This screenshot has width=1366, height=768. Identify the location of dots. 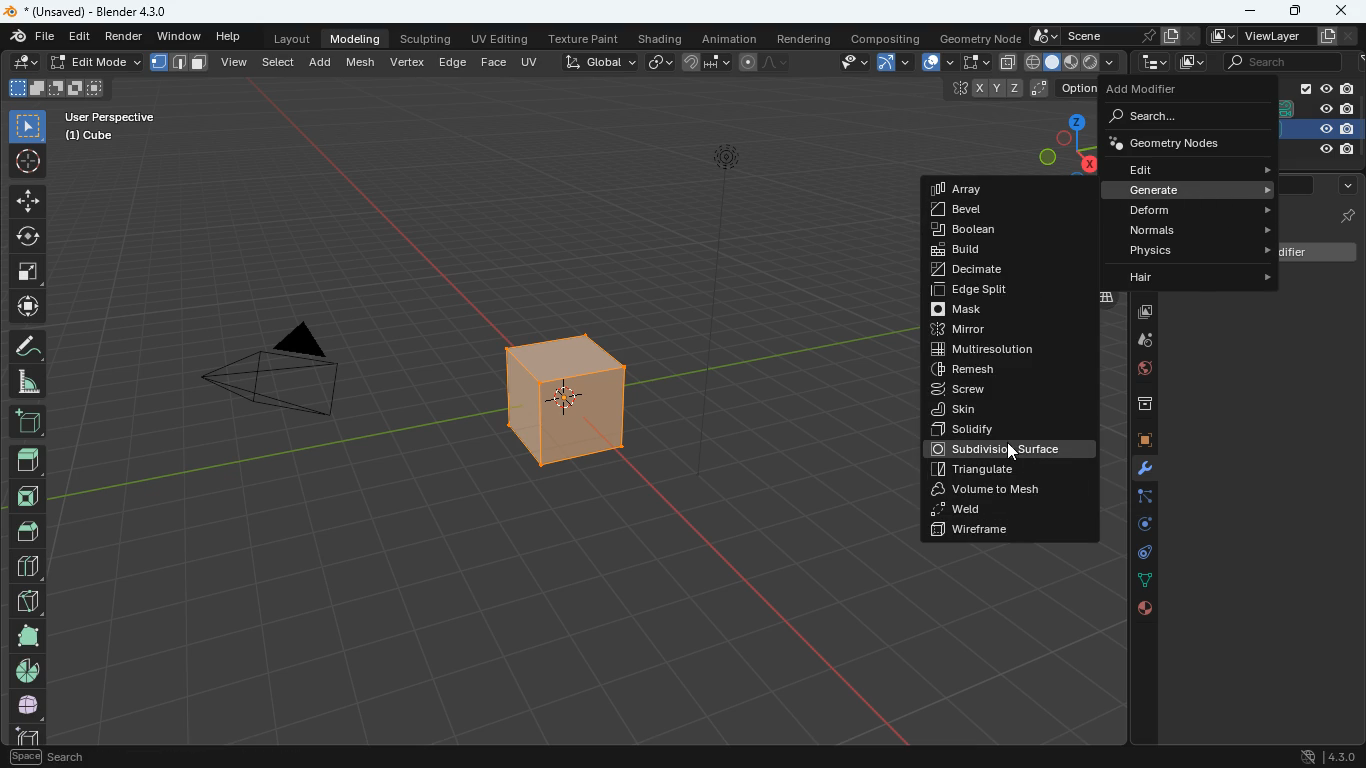
(1140, 581).